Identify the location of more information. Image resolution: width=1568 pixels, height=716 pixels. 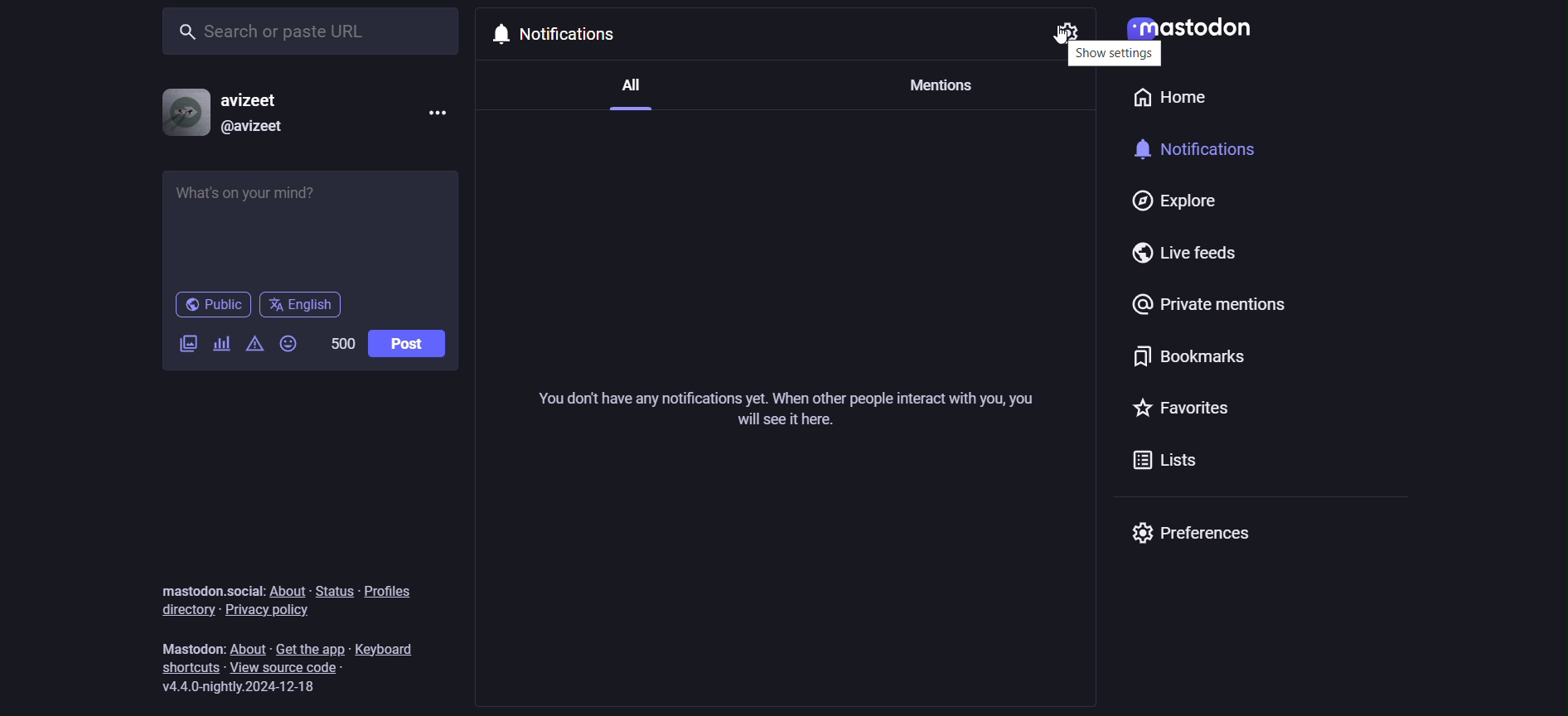
(439, 114).